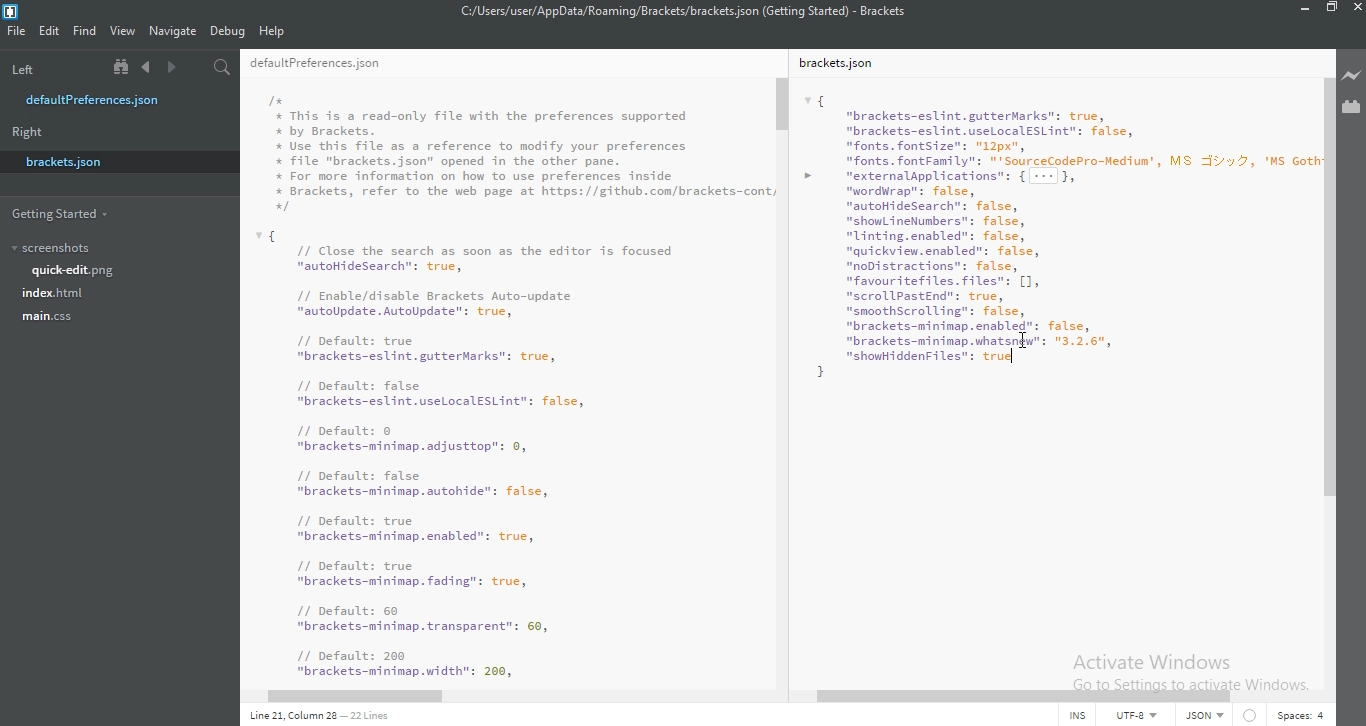  Describe the element at coordinates (1132, 714) in the screenshot. I see `UTF-8` at that location.